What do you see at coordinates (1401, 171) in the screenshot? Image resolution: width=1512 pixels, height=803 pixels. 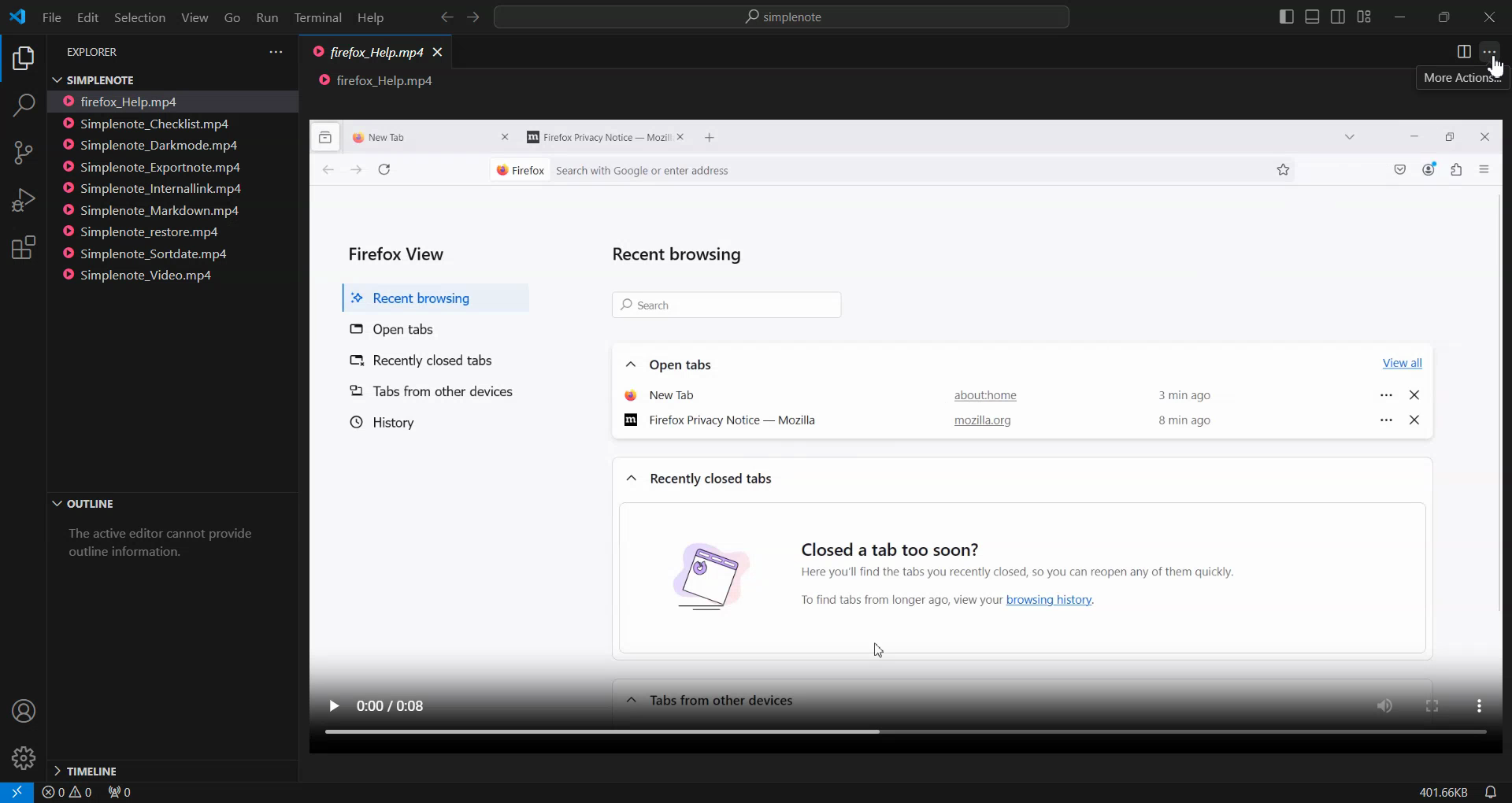 I see `save to pocket` at bounding box center [1401, 171].